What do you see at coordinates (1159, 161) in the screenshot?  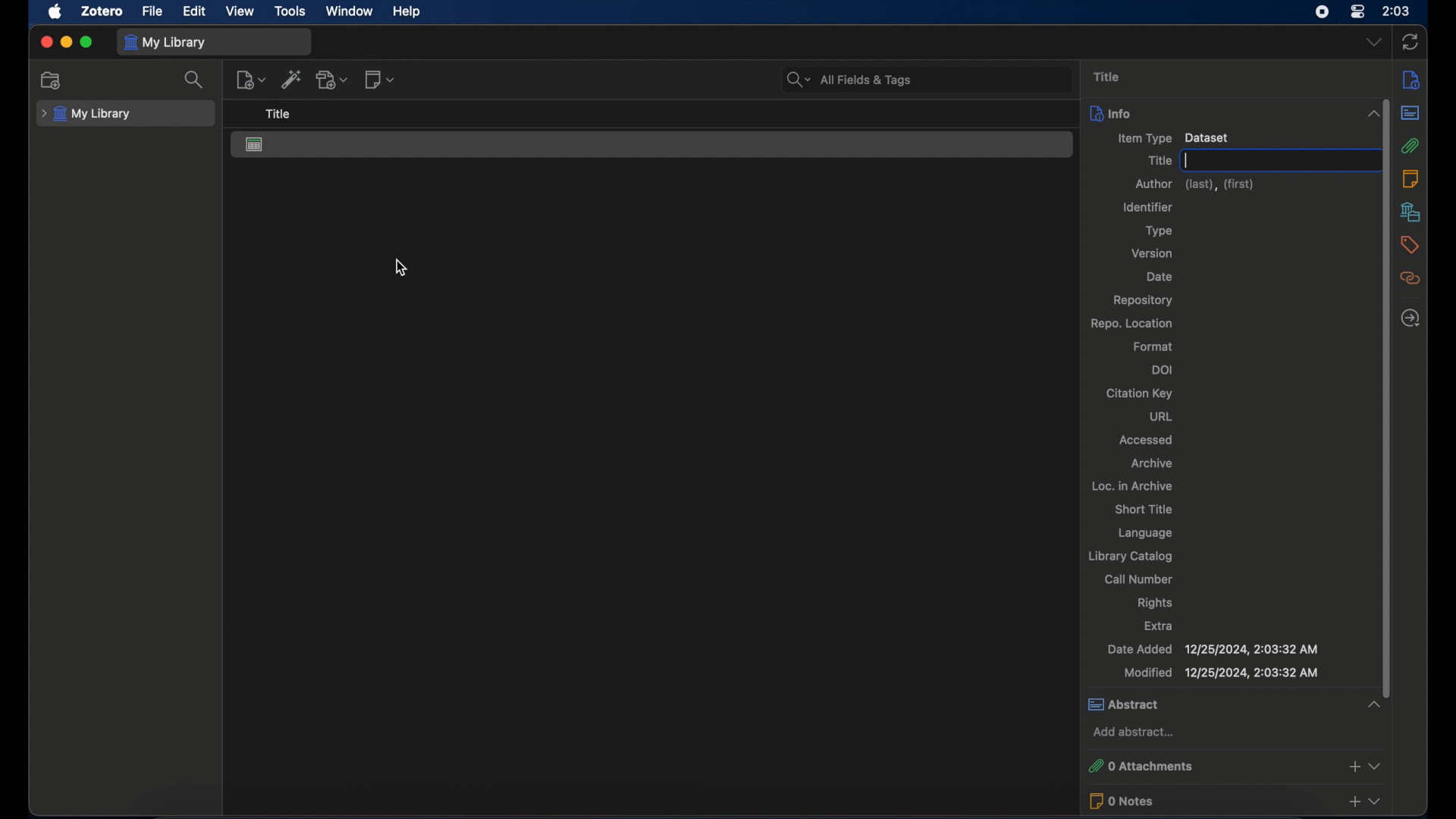 I see `title` at bounding box center [1159, 161].